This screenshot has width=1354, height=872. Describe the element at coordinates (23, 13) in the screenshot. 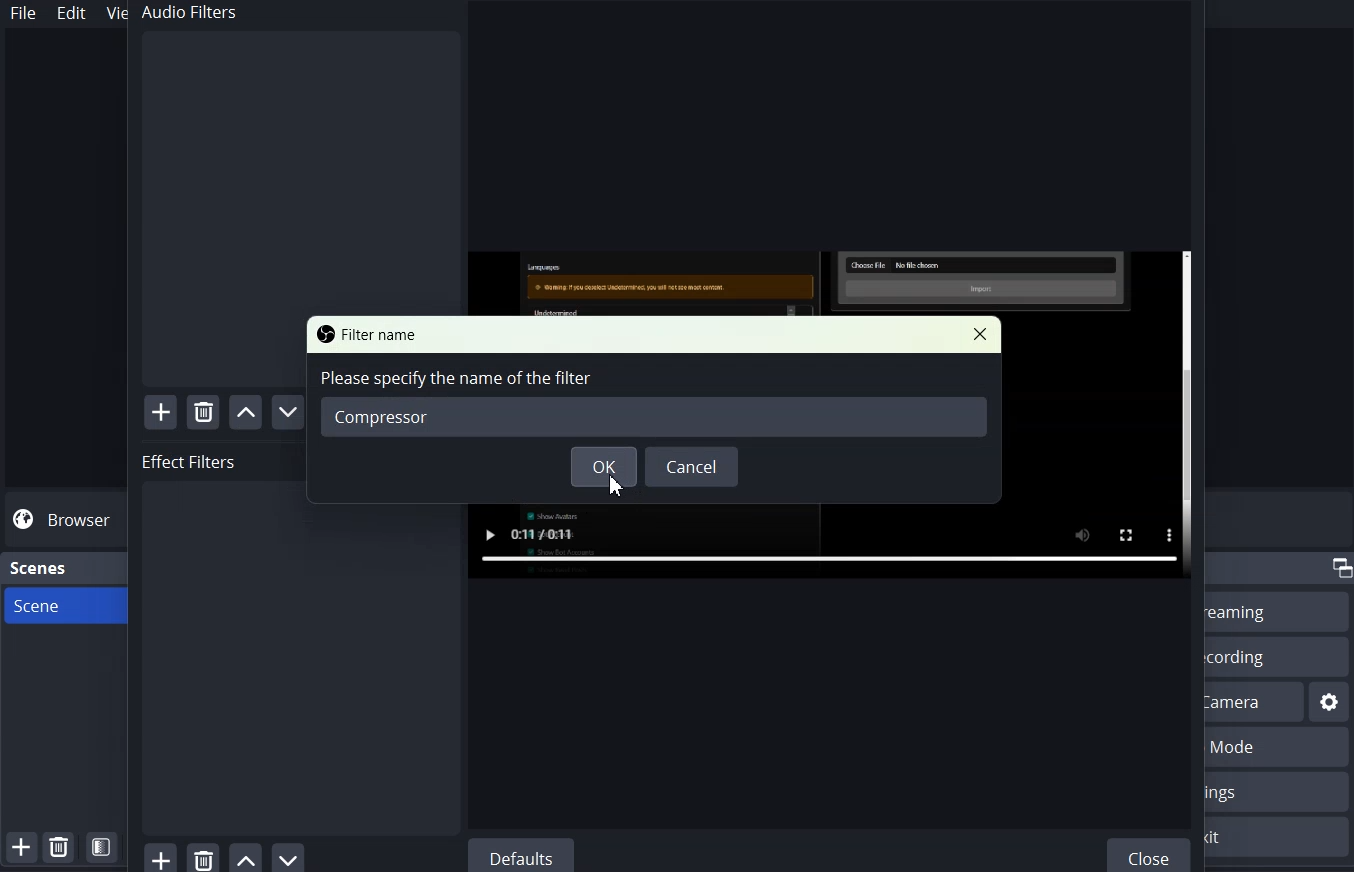

I see `File` at that location.